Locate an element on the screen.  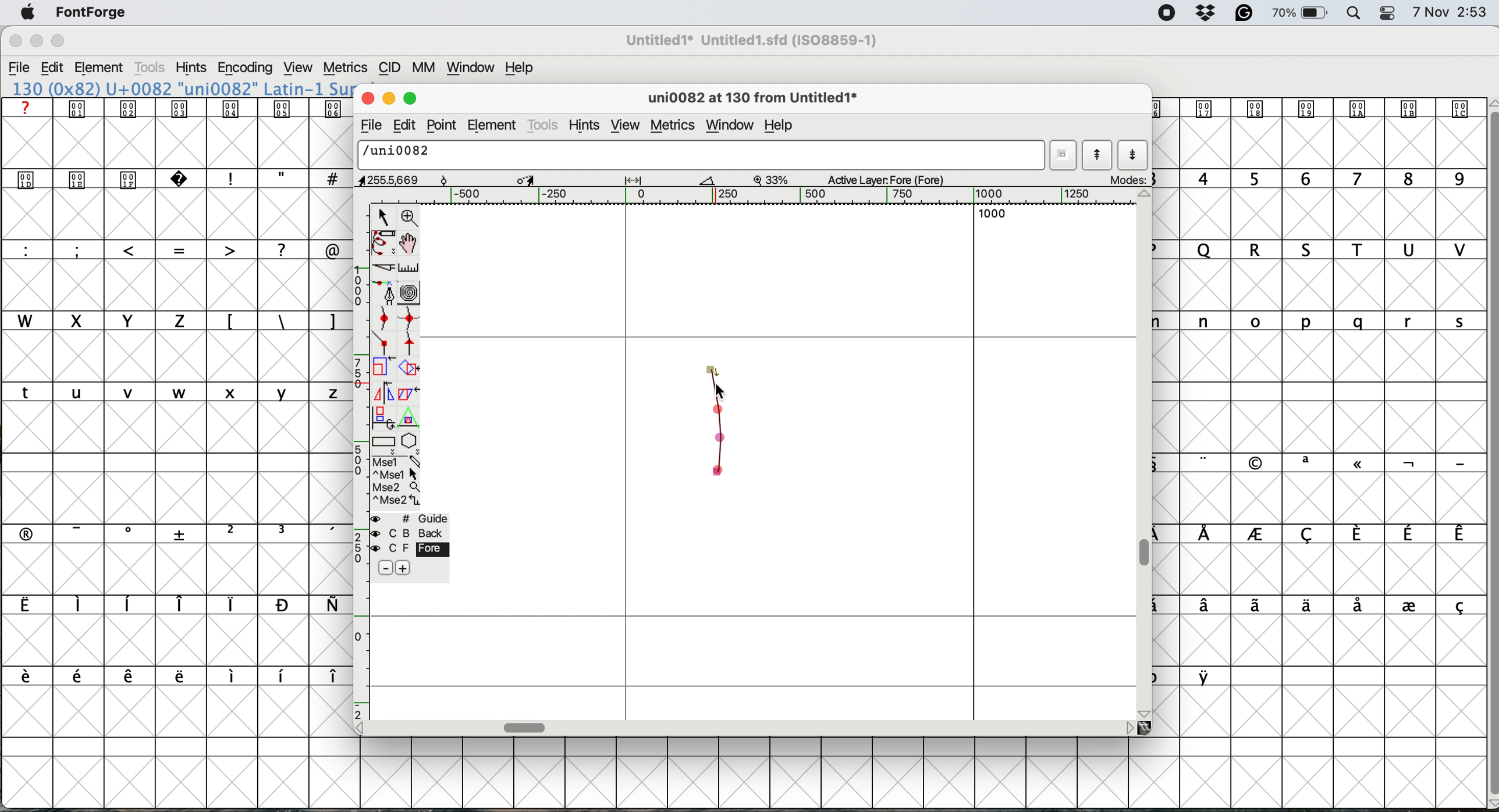
help is located at coordinates (517, 69).